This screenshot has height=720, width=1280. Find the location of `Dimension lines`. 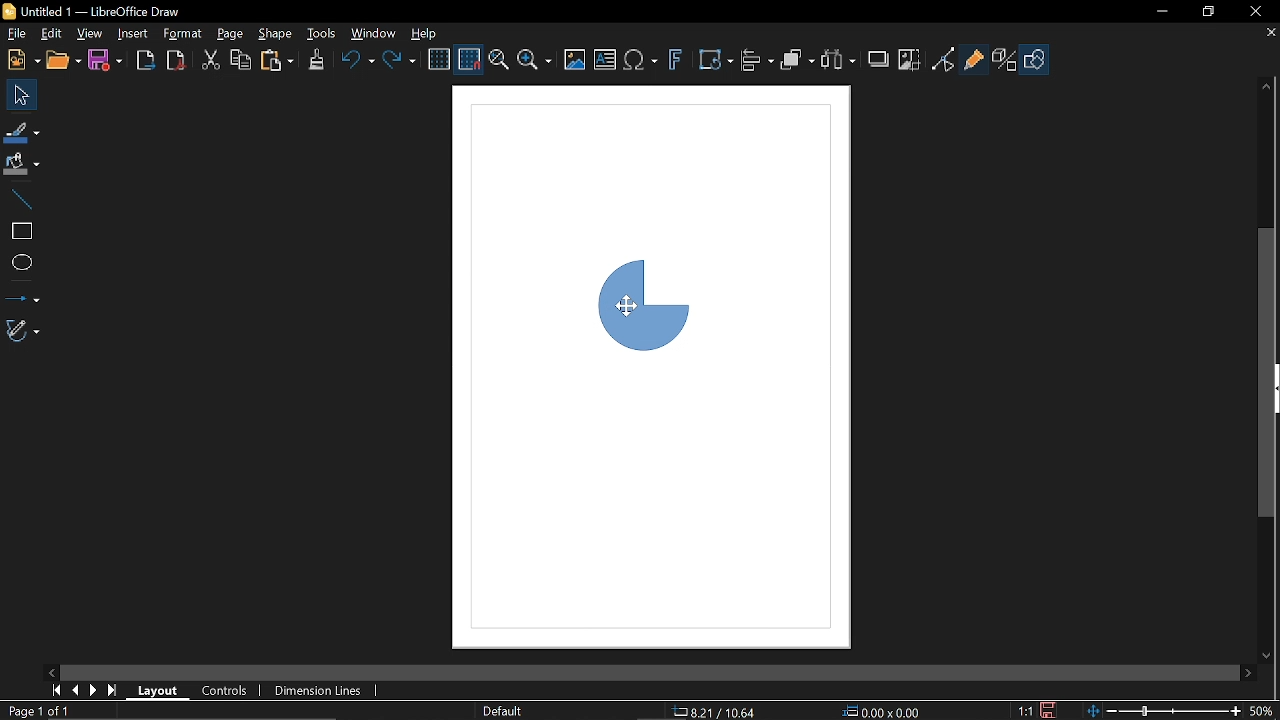

Dimension lines is located at coordinates (318, 691).